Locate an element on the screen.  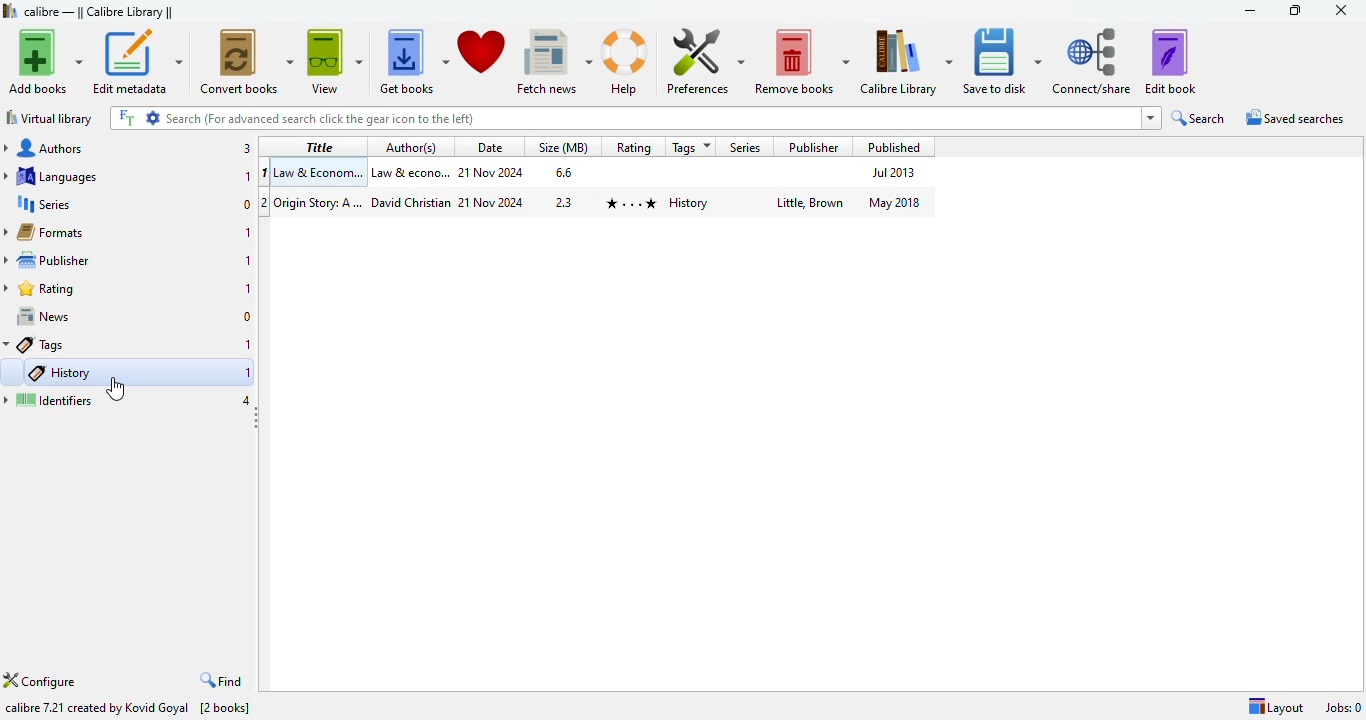
preferences is located at coordinates (705, 60).